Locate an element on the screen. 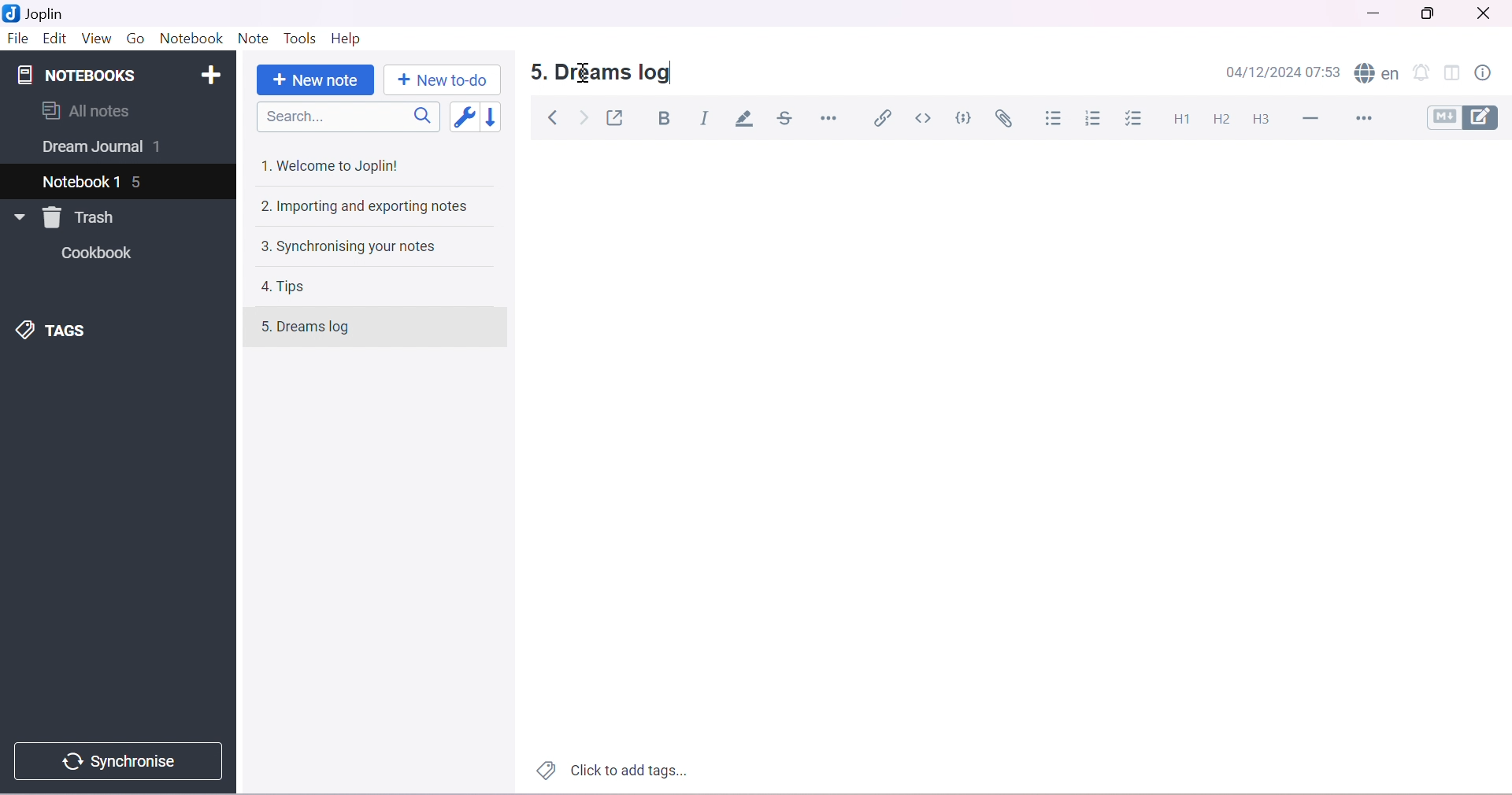 This screenshot has height=795, width=1512. New note is located at coordinates (313, 80).